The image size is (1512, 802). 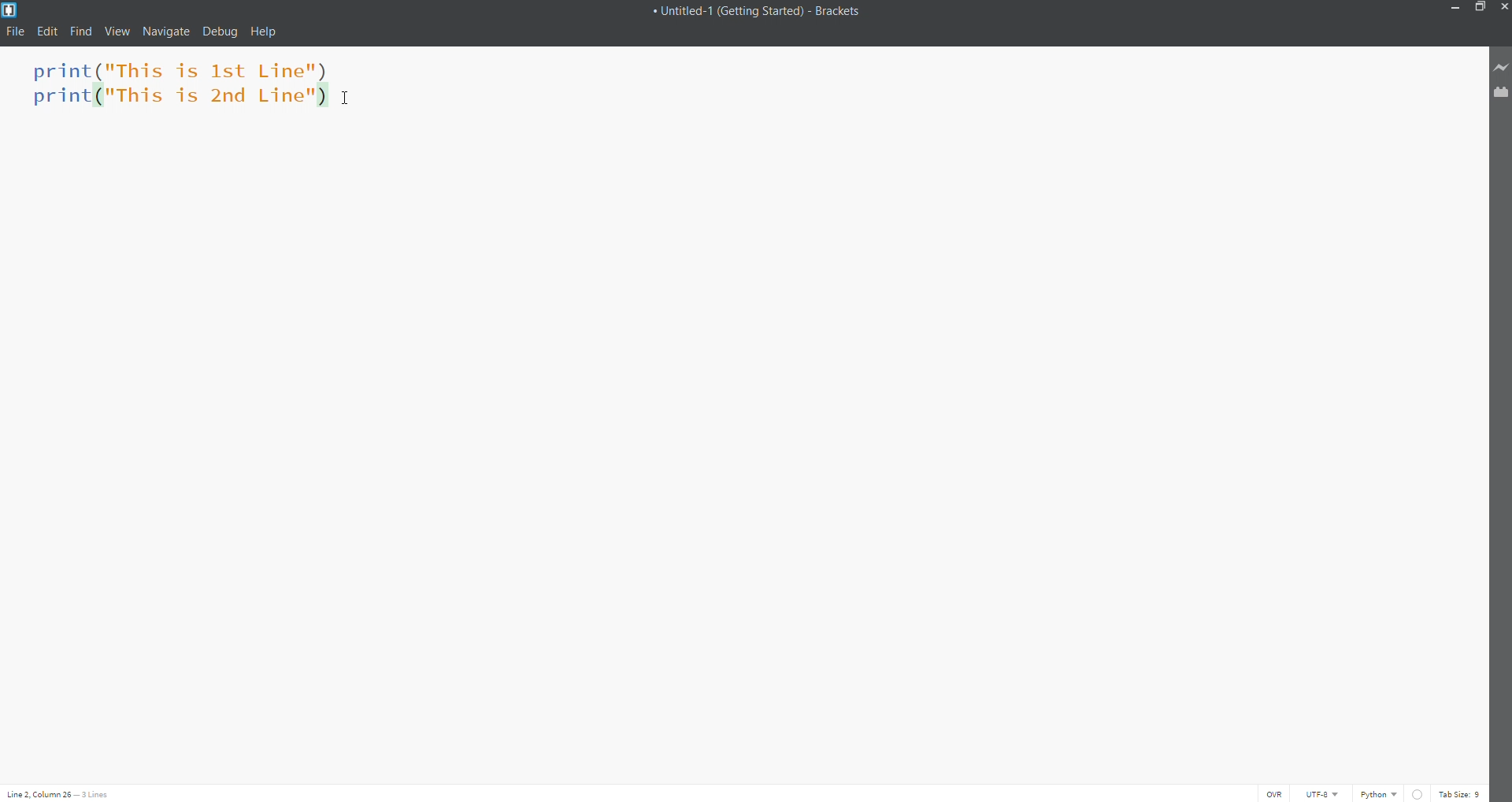 I want to click on File Type, so click(x=1377, y=793).